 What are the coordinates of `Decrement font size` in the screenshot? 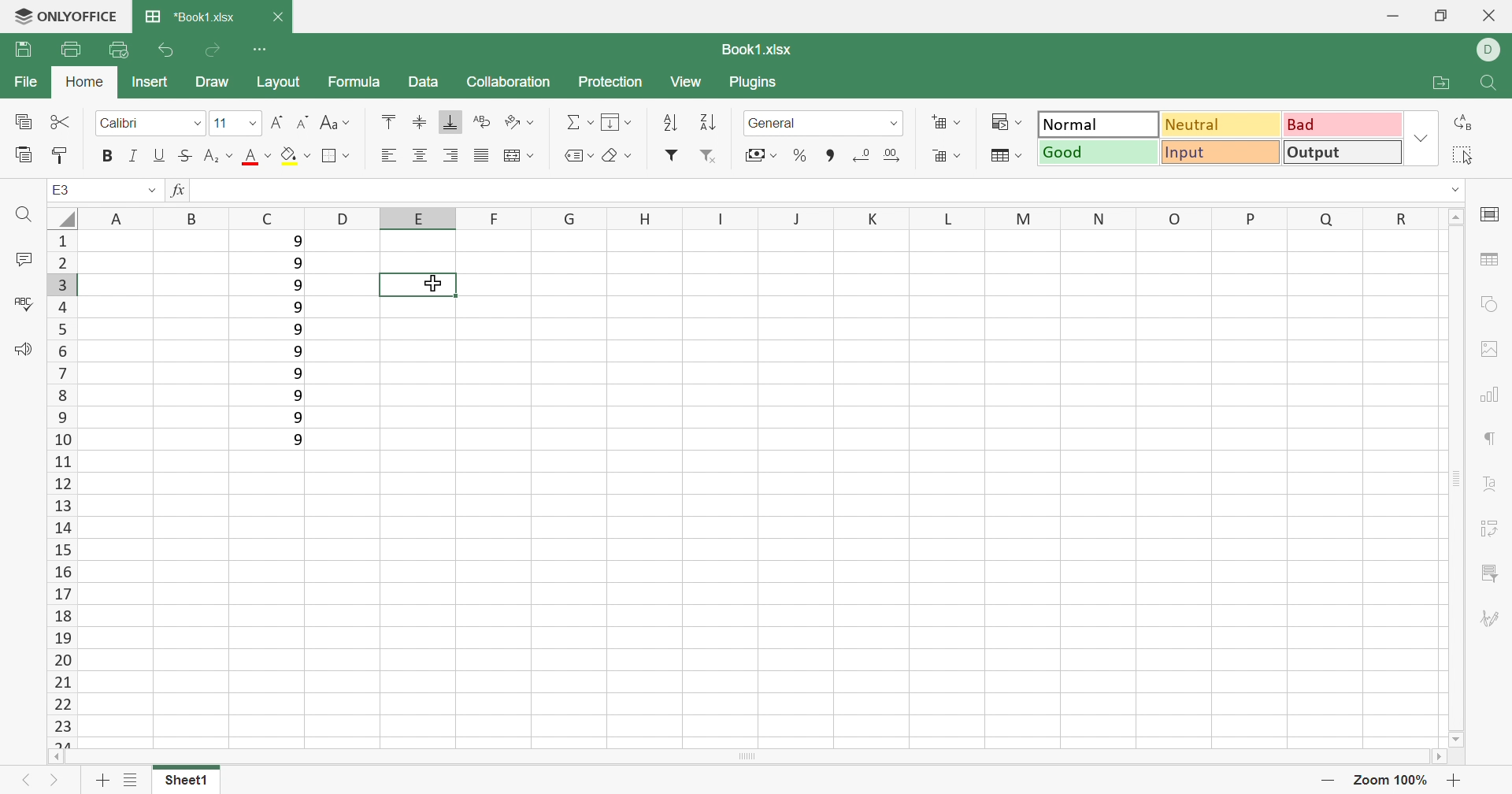 It's located at (303, 121).